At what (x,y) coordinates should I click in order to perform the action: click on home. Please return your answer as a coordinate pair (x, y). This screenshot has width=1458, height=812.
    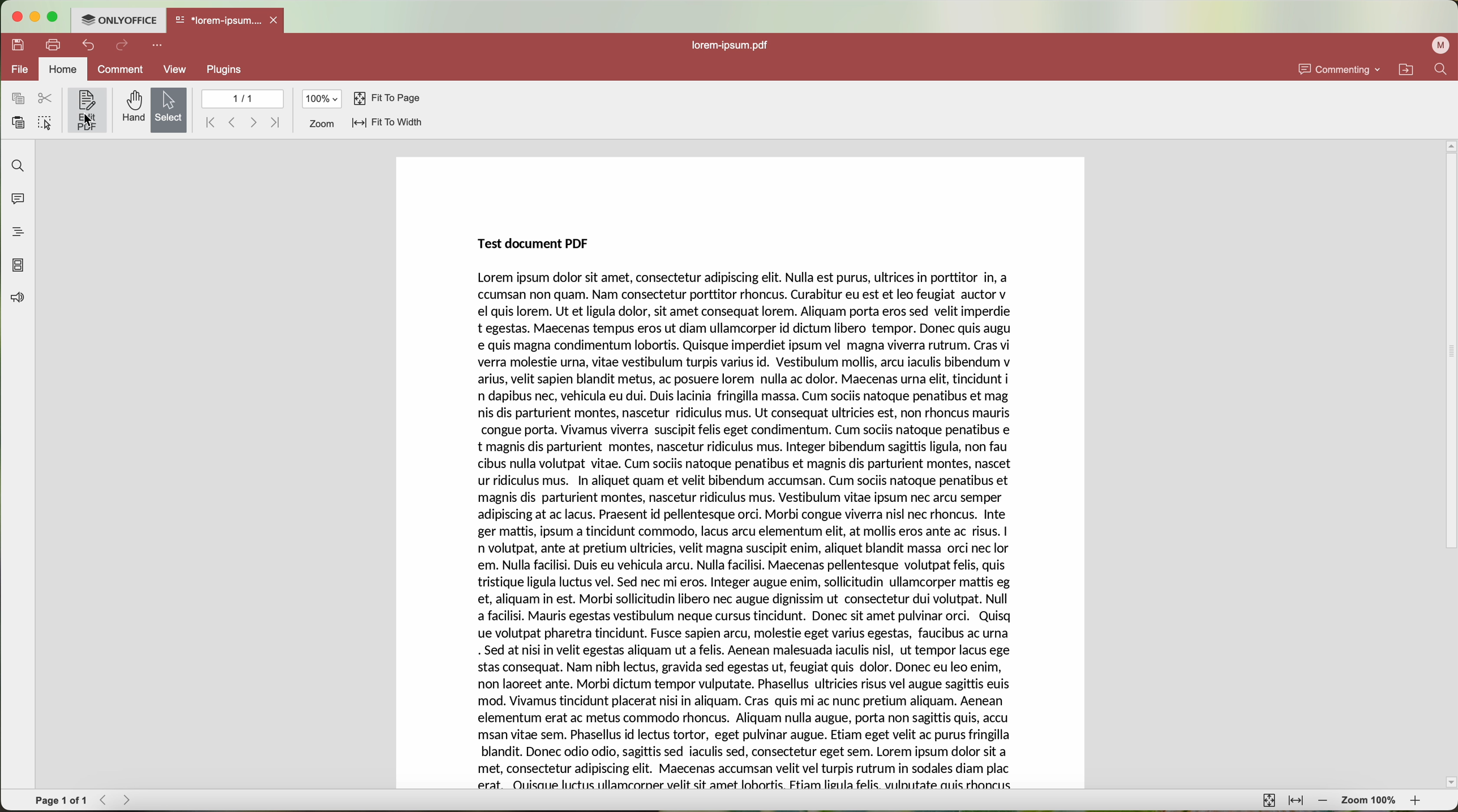
    Looking at the image, I should click on (64, 69).